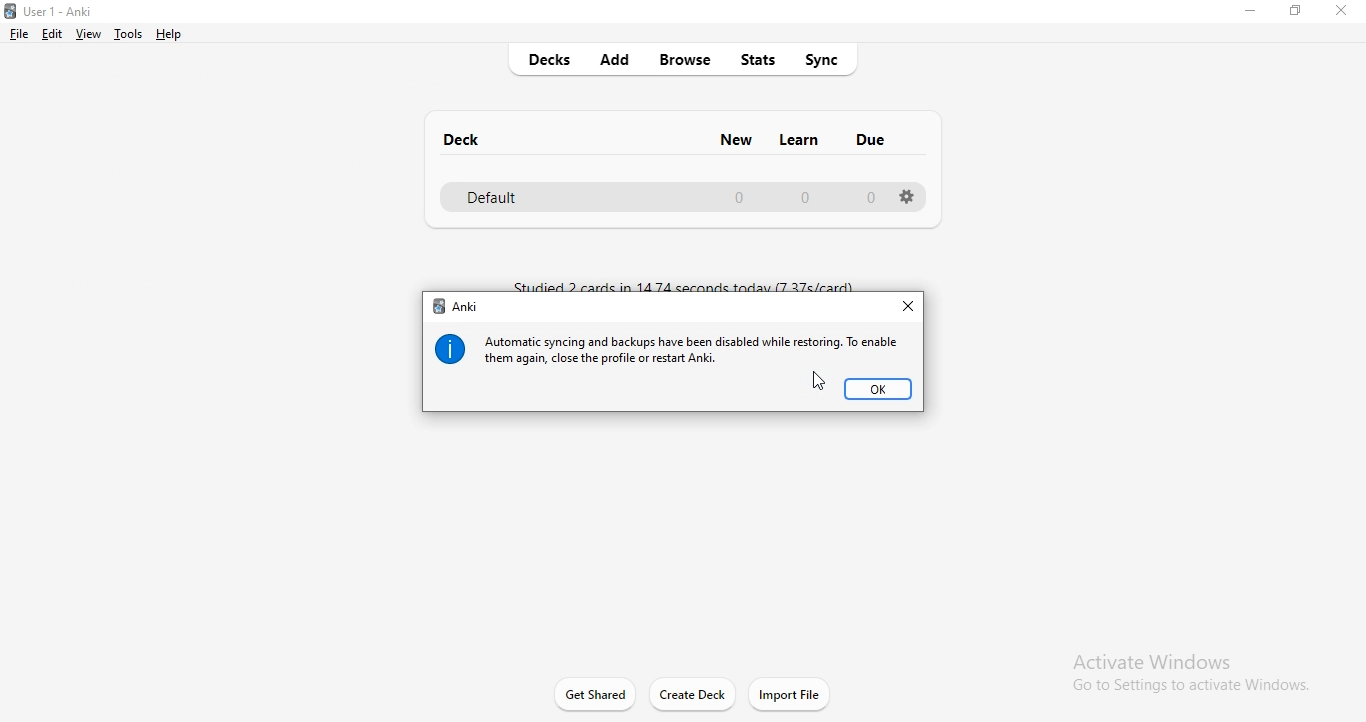 The width and height of the screenshot is (1366, 722). Describe the element at coordinates (59, 8) in the screenshot. I see `Anki logo and title` at that location.